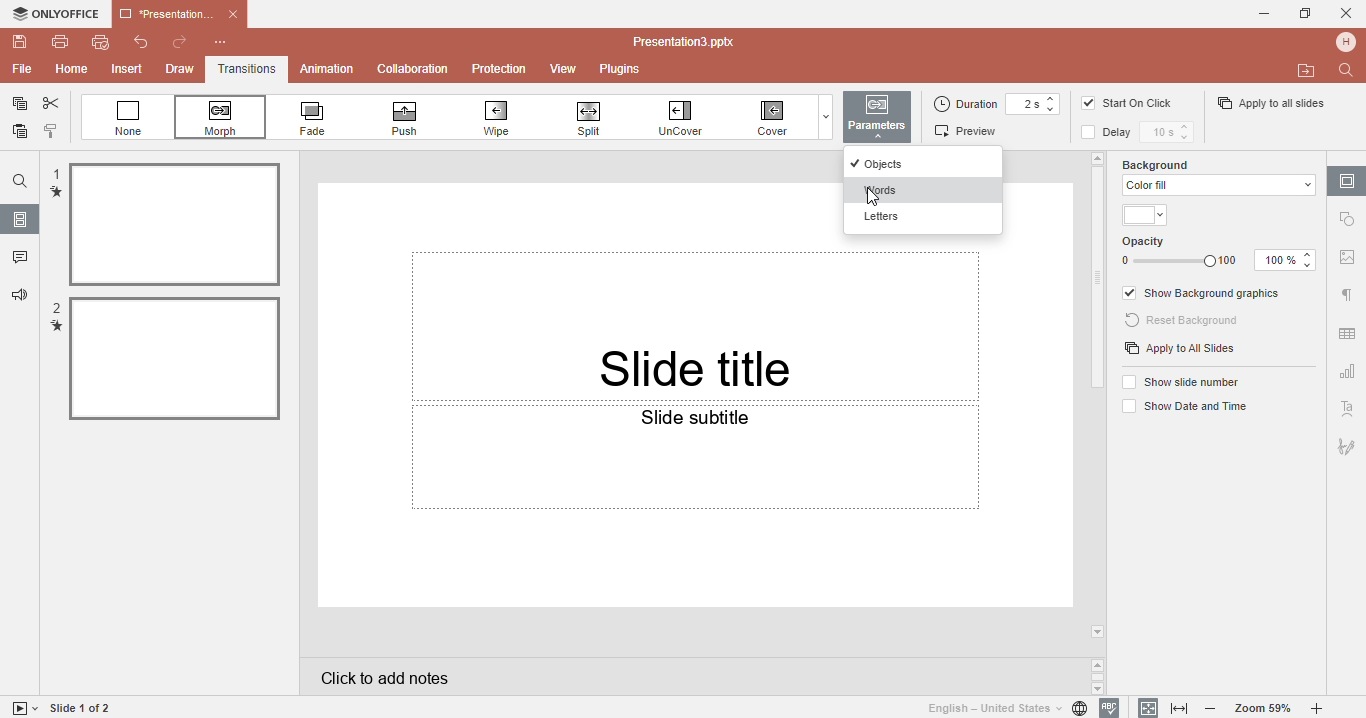 The image size is (1366, 718). I want to click on mouse pointer, so click(870, 197).